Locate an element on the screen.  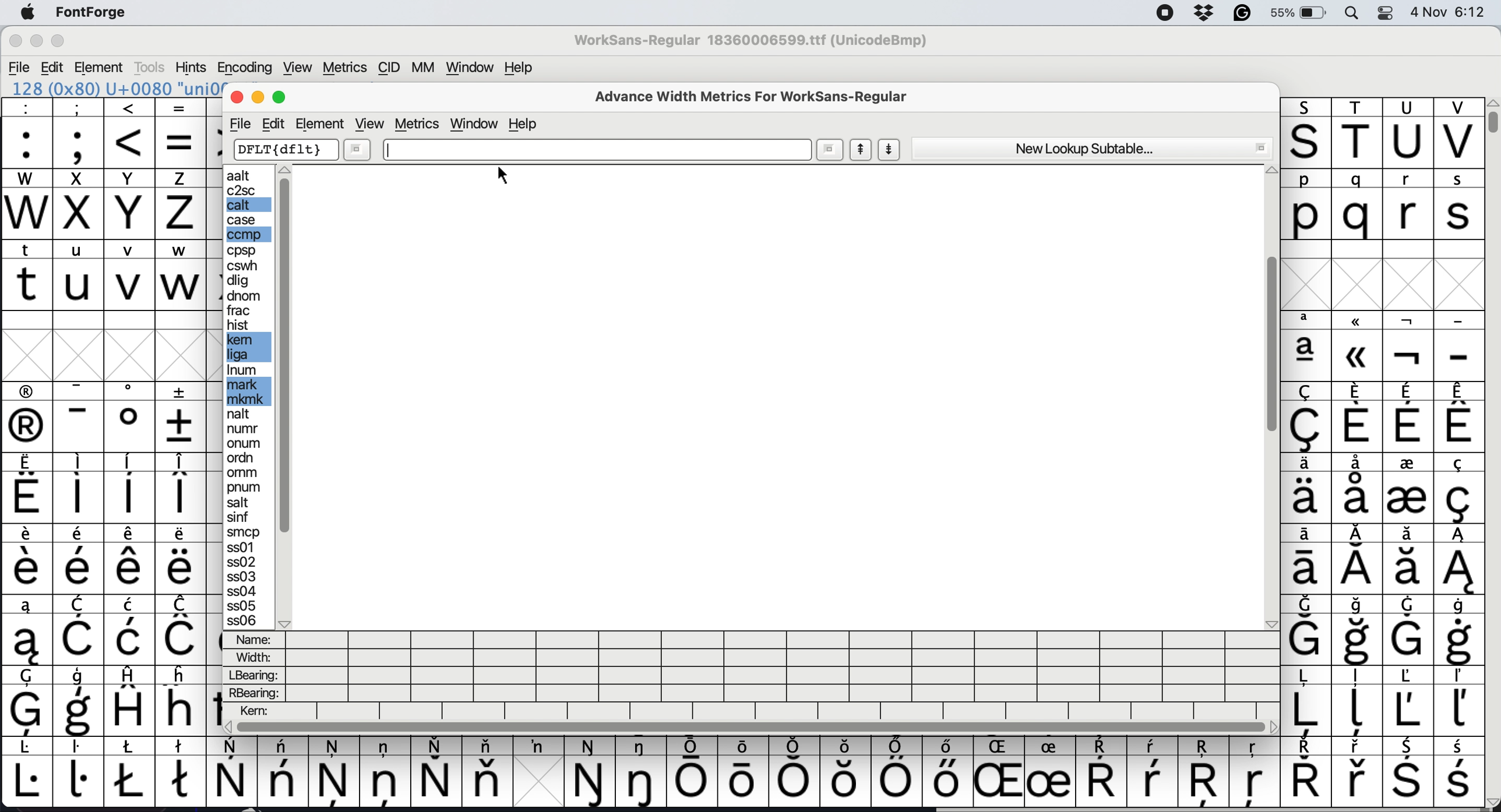
lowercase letters is located at coordinates (1382, 176).